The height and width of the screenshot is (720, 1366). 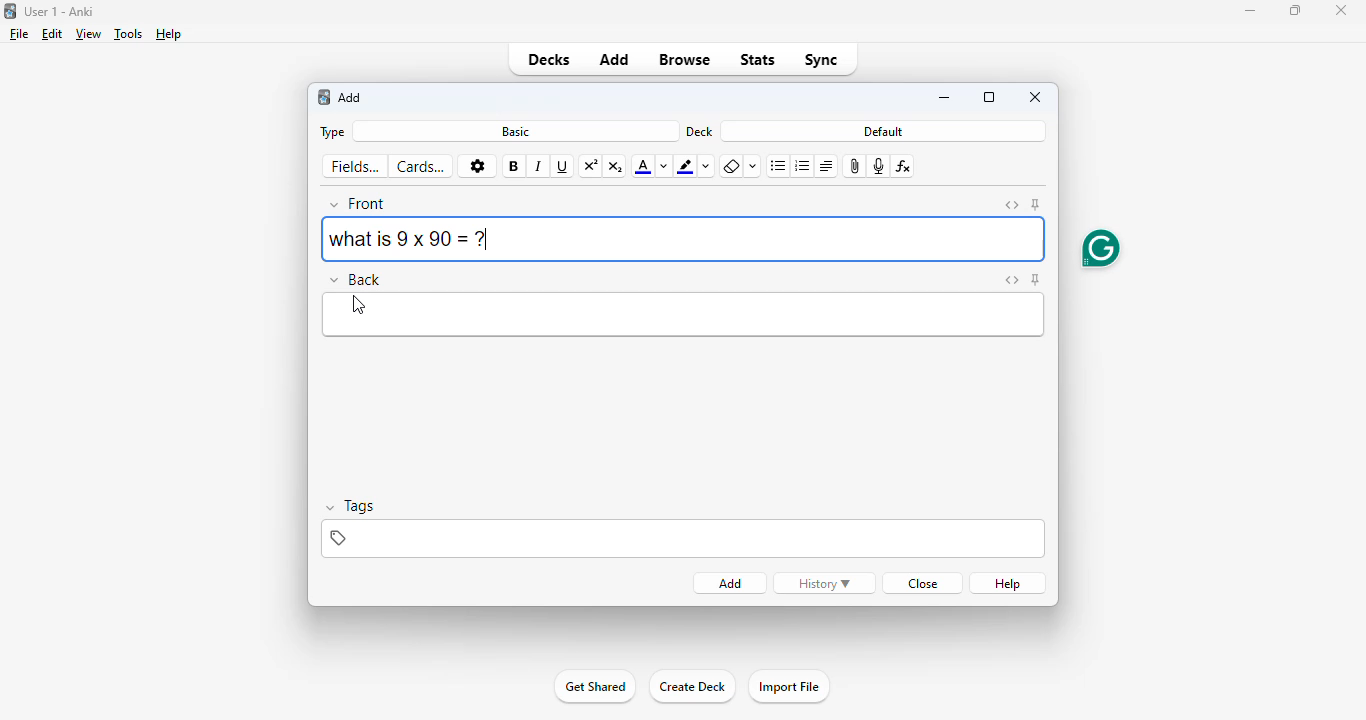 I want to click on change color, so click(x=664, y=166).